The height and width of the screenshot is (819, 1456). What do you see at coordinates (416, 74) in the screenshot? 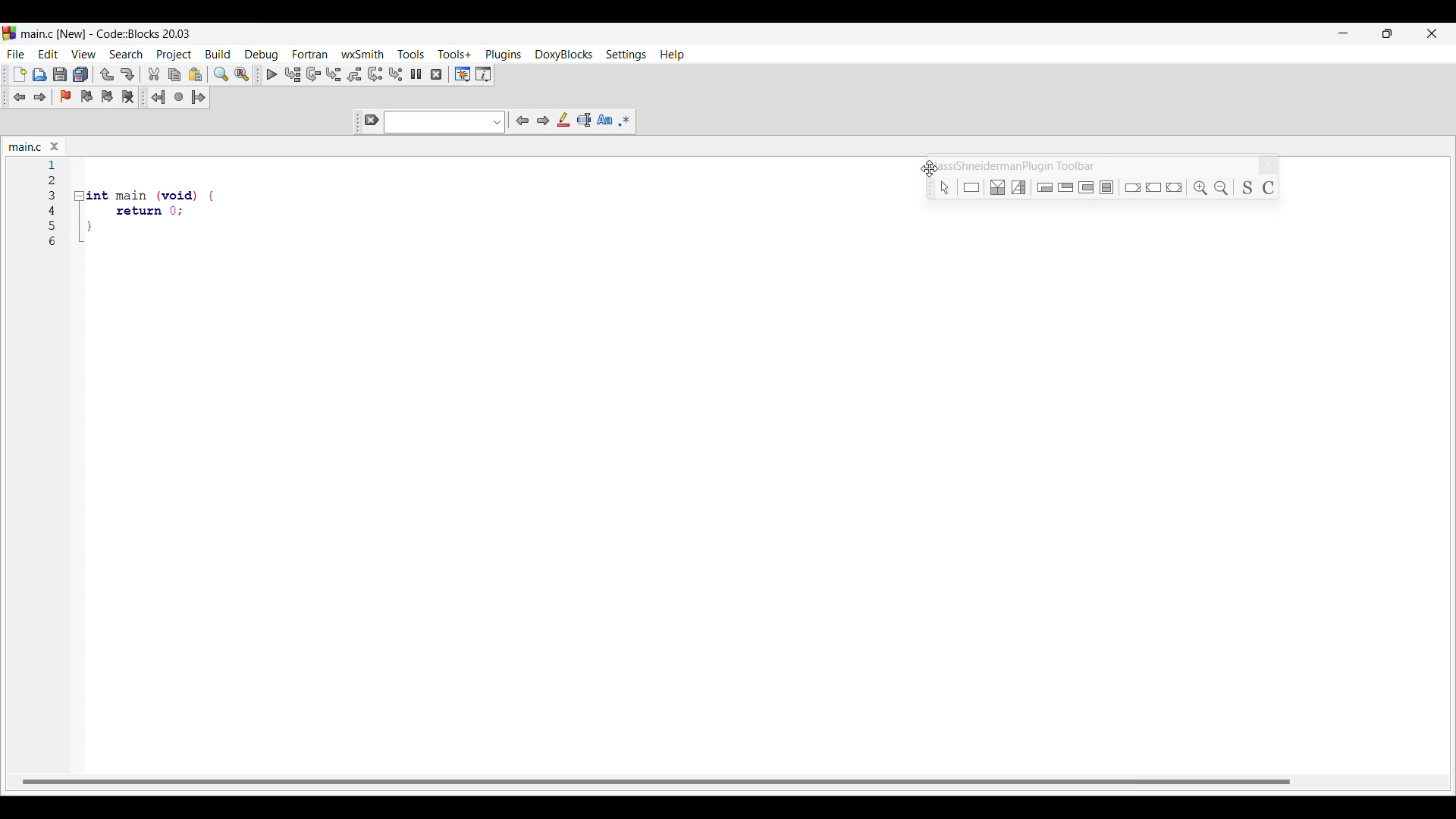
I see `Break debugger` at bounding box center [416, 74].